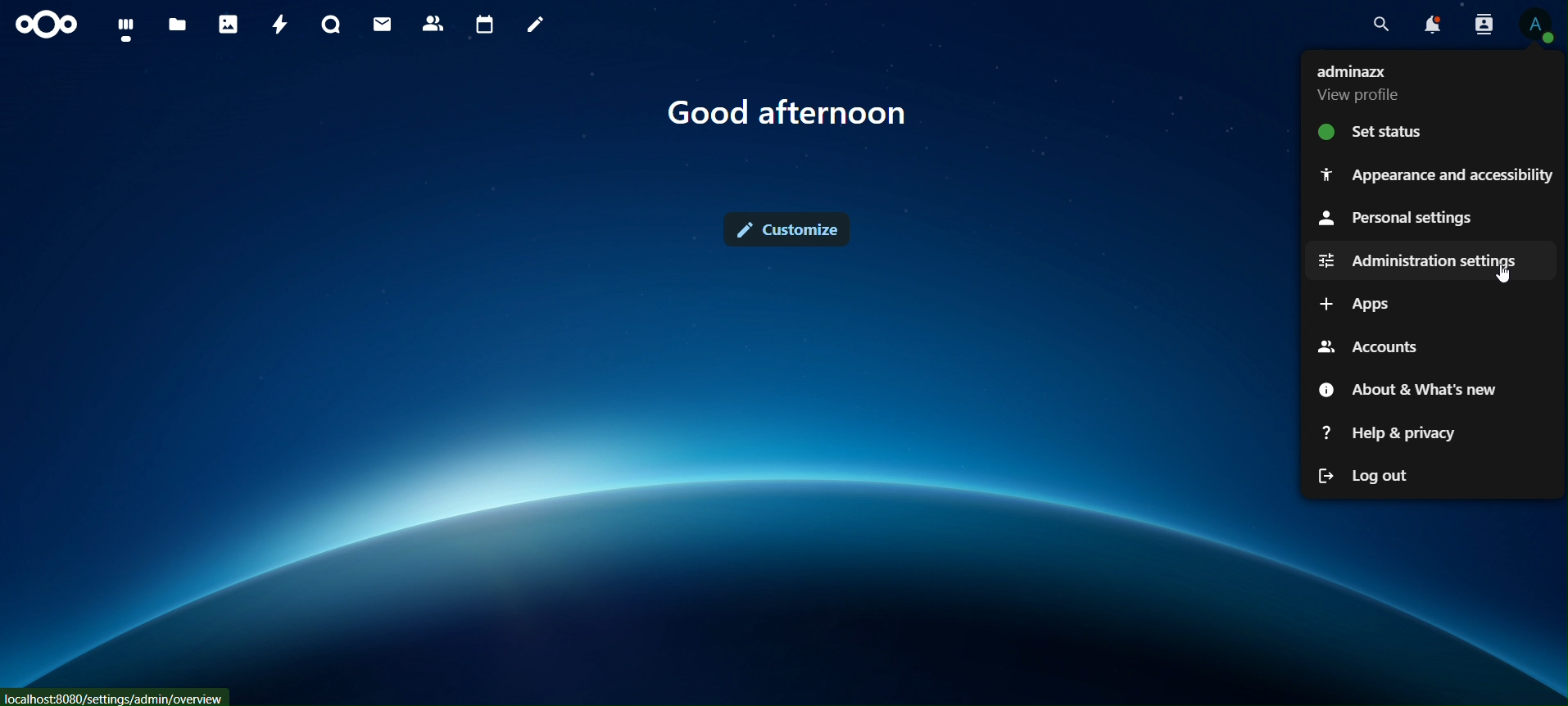 The height and width of the screenshot is (706, 1568). What do you see at coordinates (331, 25) in the screenshot?
I see `talk` at bounding box center [331, 25].